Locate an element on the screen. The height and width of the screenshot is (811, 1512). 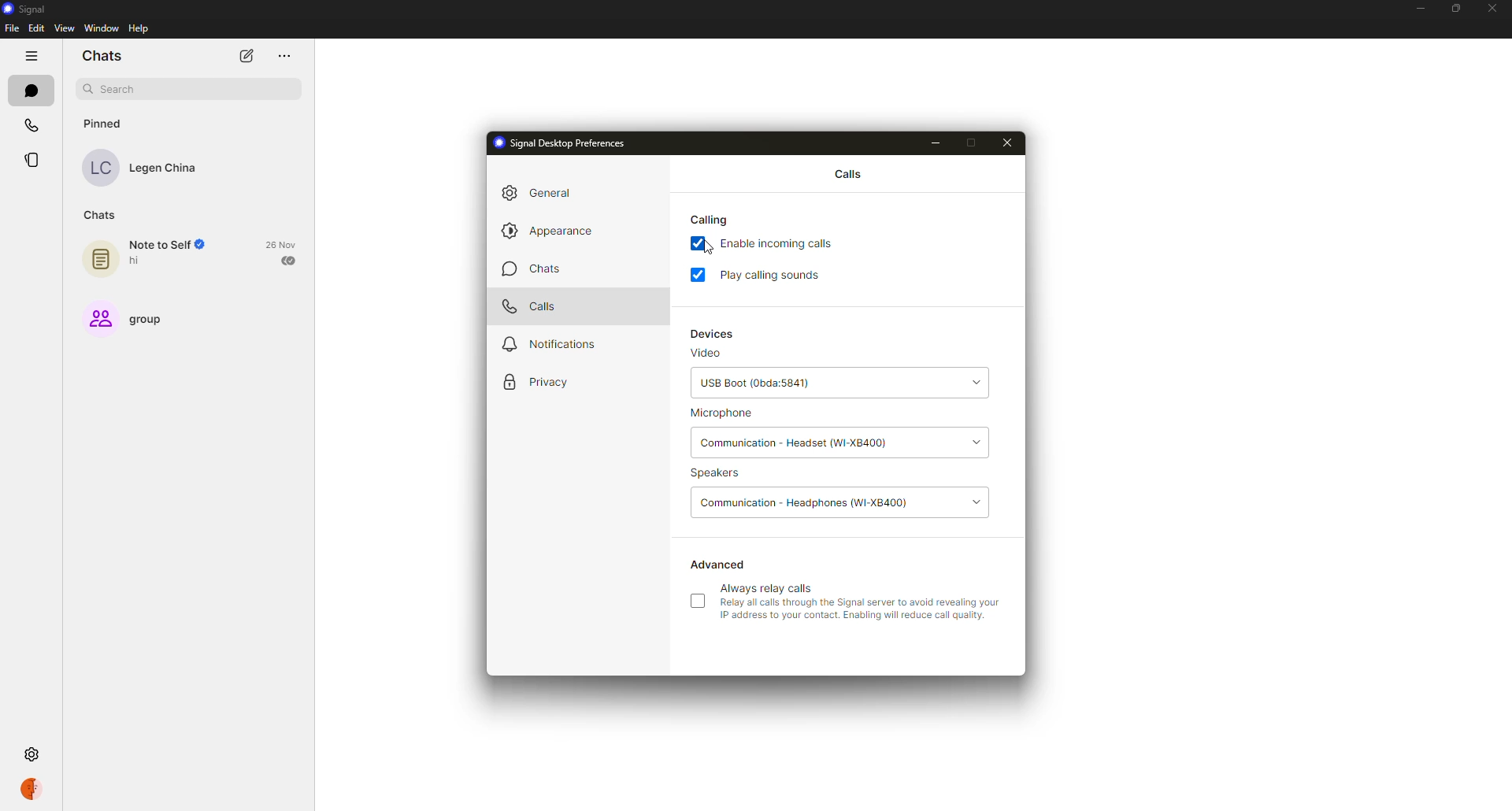
chats is located at coordinates (31, 90).